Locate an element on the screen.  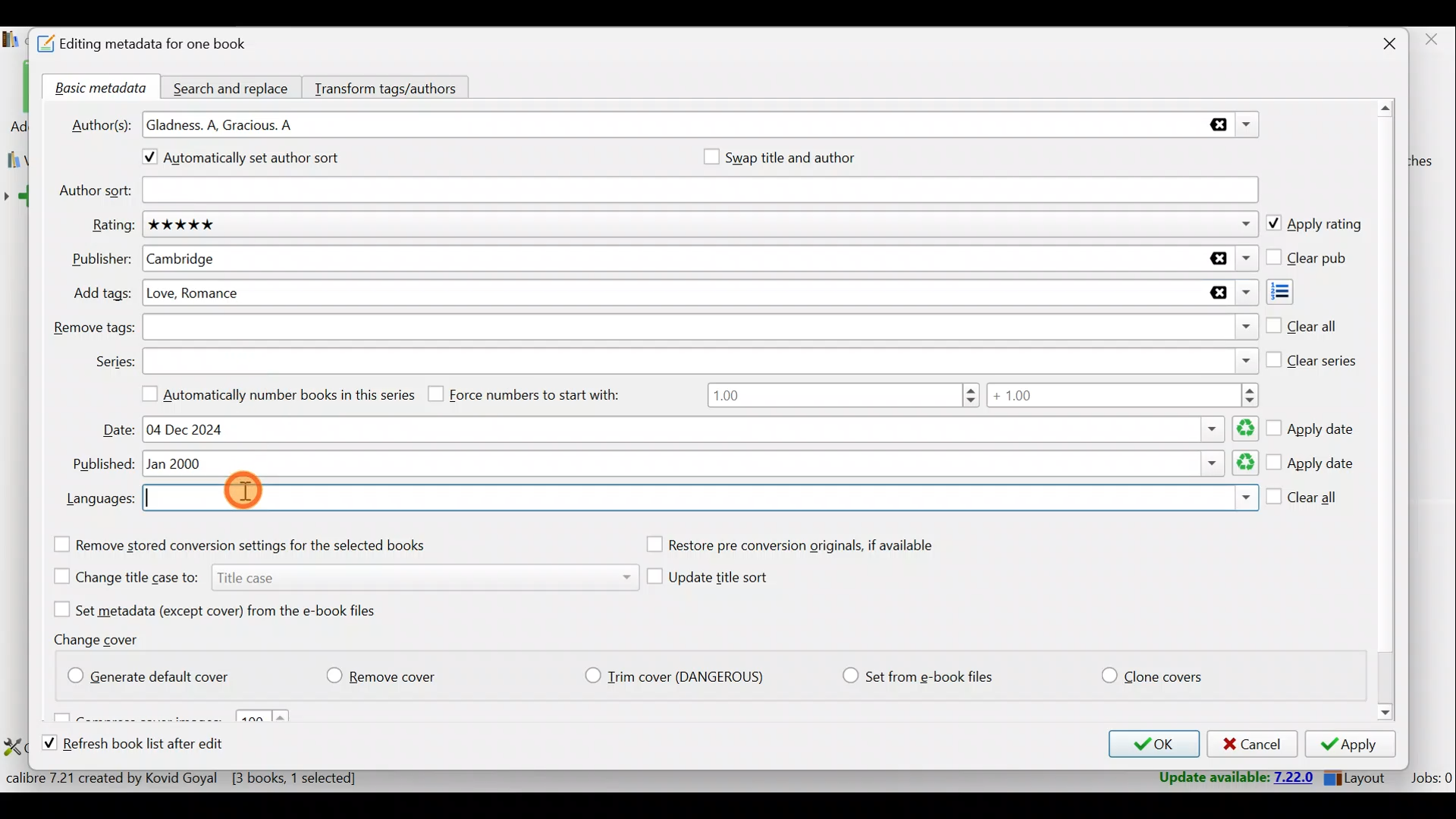
Apply date is located at coordinates (1313, 424).